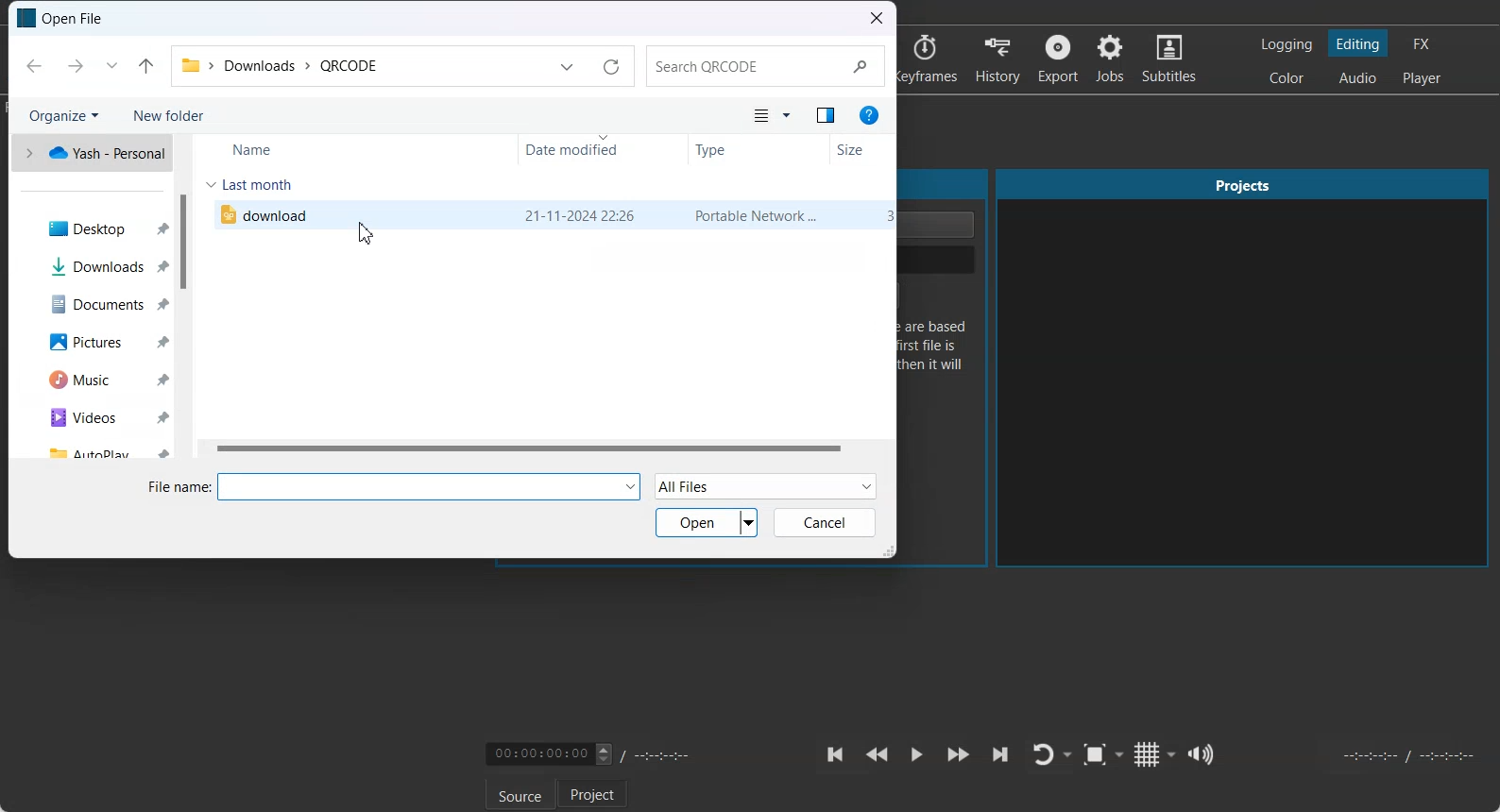  What do you see at coordinates (1097, 755) in the screenshot?
I see `Toggle Zoom` at bounding box center [1097, 755].